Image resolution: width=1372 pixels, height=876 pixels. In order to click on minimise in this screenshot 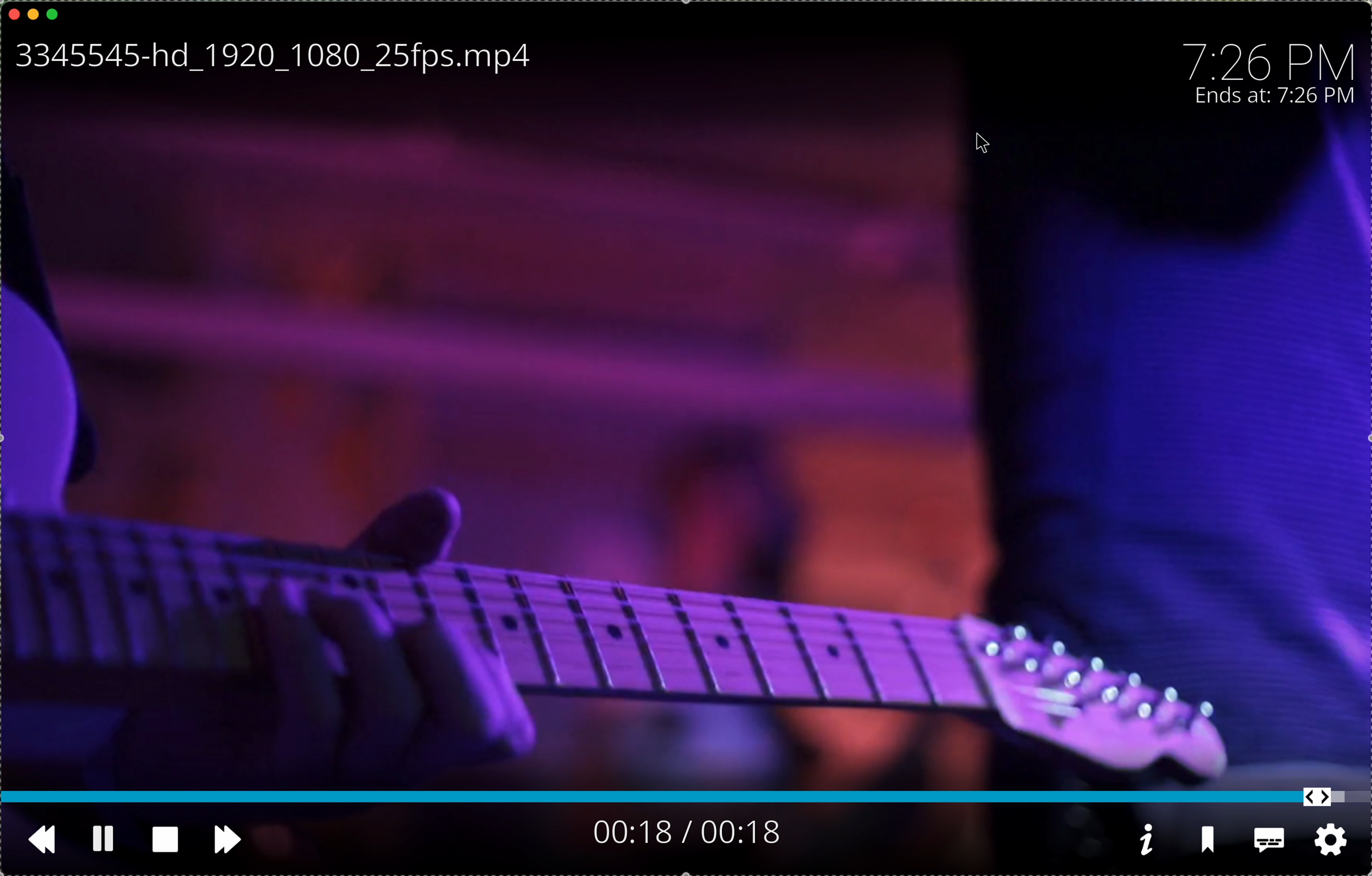, I will do `click(33, 13)`.